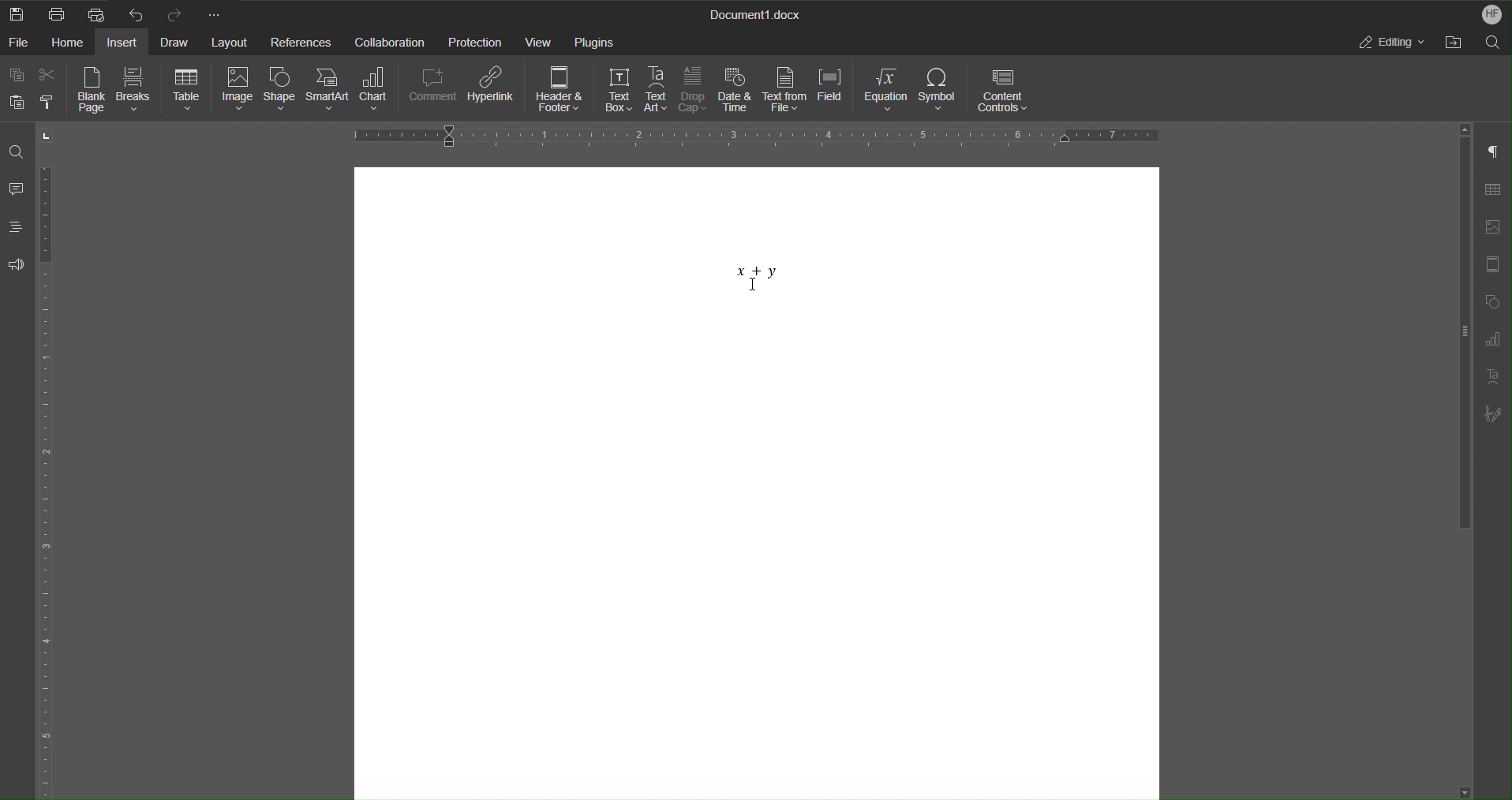 This screenshot has width=1512, height=800. What do you see at coordinates (216, 13) in the screenshot?
I see `More` at bounding box center [216, 13].